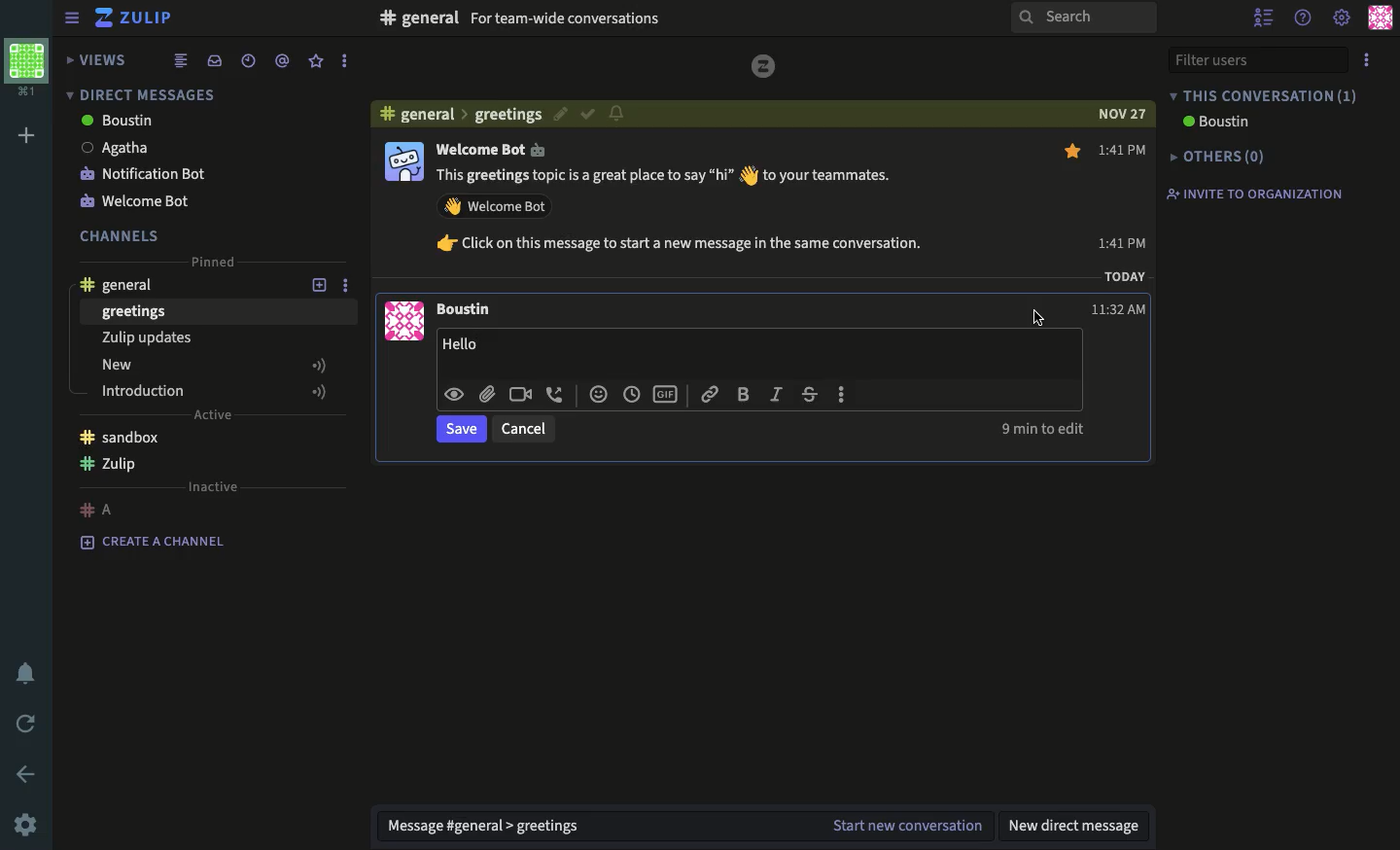  I want to click on favorite, so click(1074, 155).